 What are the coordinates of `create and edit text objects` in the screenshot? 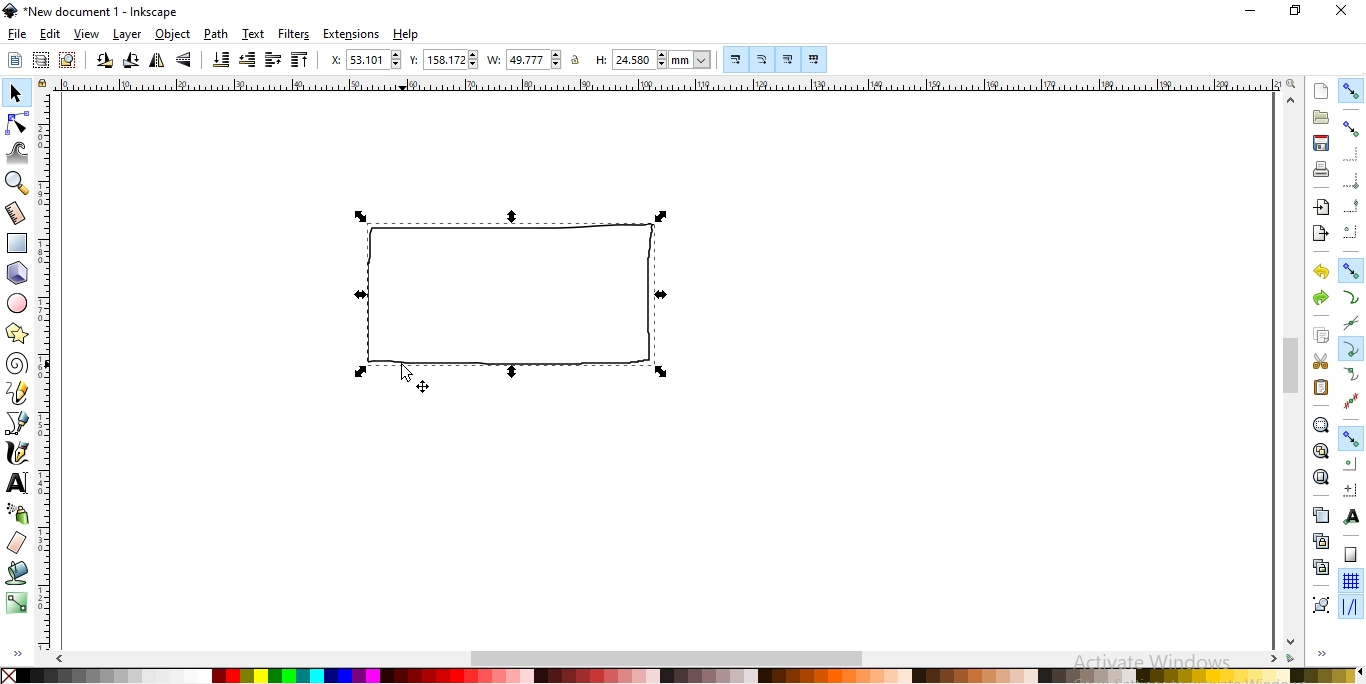 It's located at (14, 481).